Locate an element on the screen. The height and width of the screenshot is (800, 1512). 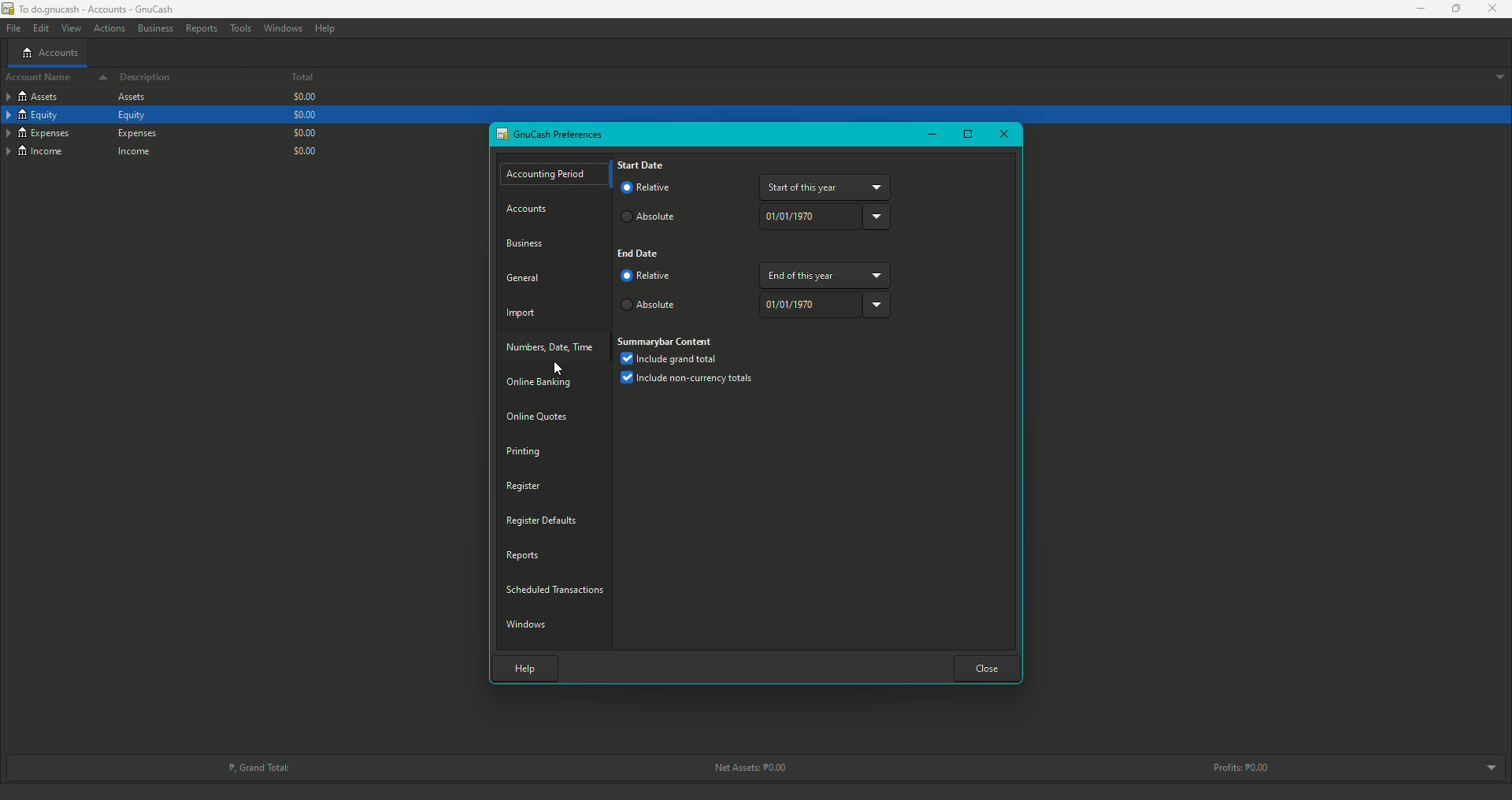
Close is located at coordinates (988, 667).